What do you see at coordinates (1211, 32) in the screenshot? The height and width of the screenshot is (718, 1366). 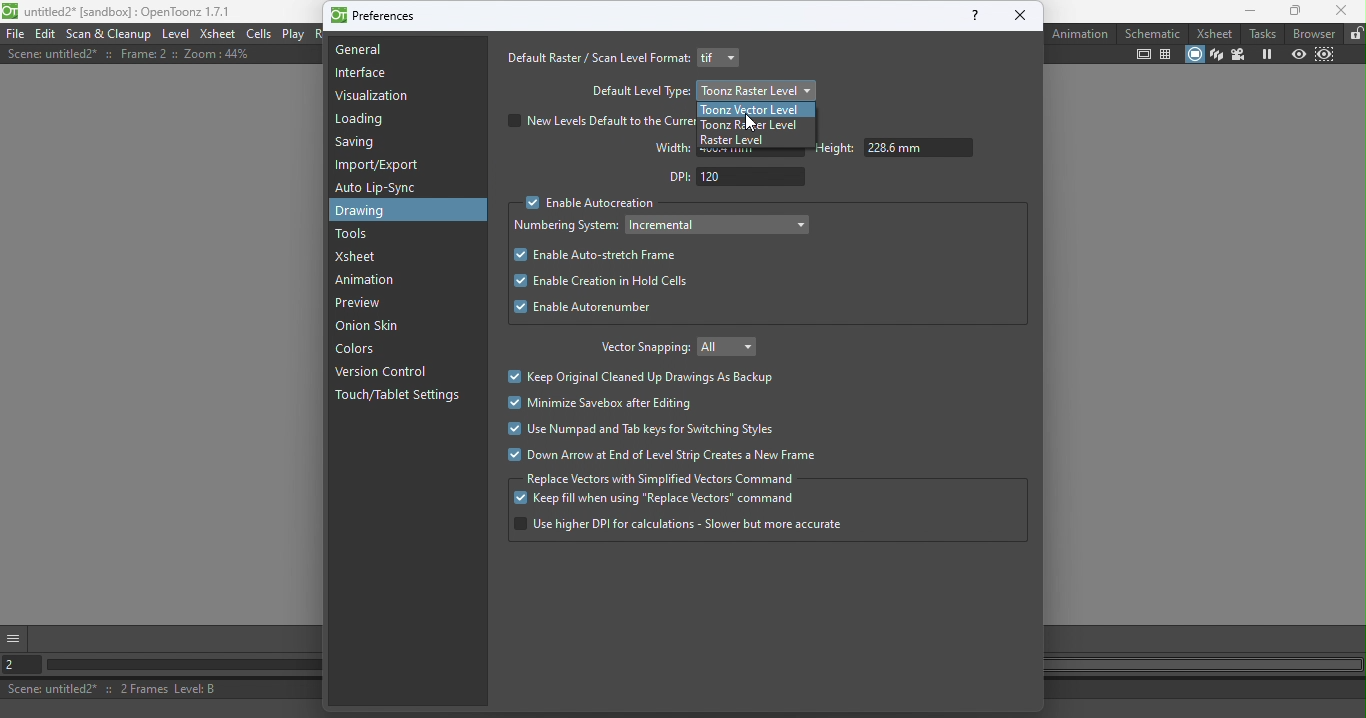 I see `Xsheet` at bounding box center [1211, 32].